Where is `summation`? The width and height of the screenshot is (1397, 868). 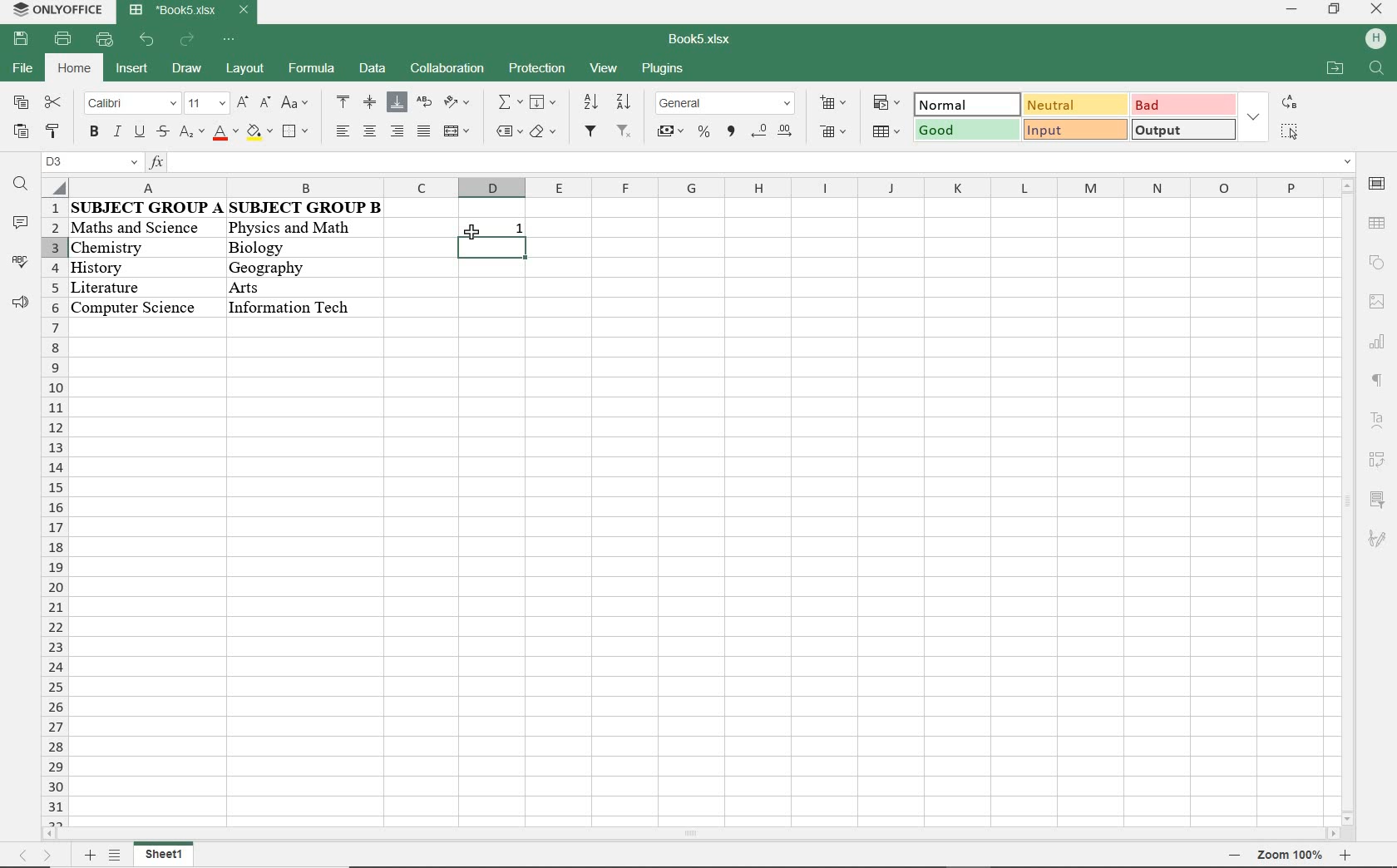
summation is located at coordinates (509, 103).